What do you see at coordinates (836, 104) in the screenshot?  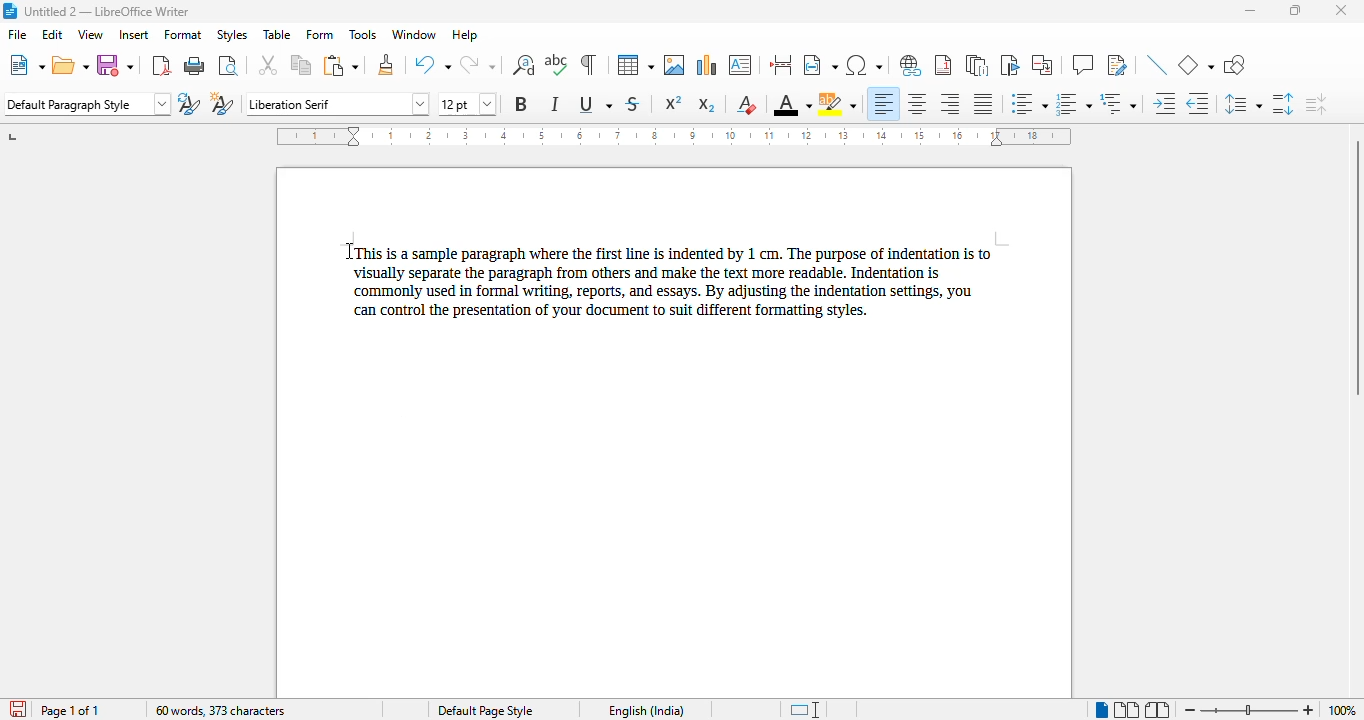 I see `character highlighting color` at bounding box center [836, 104].